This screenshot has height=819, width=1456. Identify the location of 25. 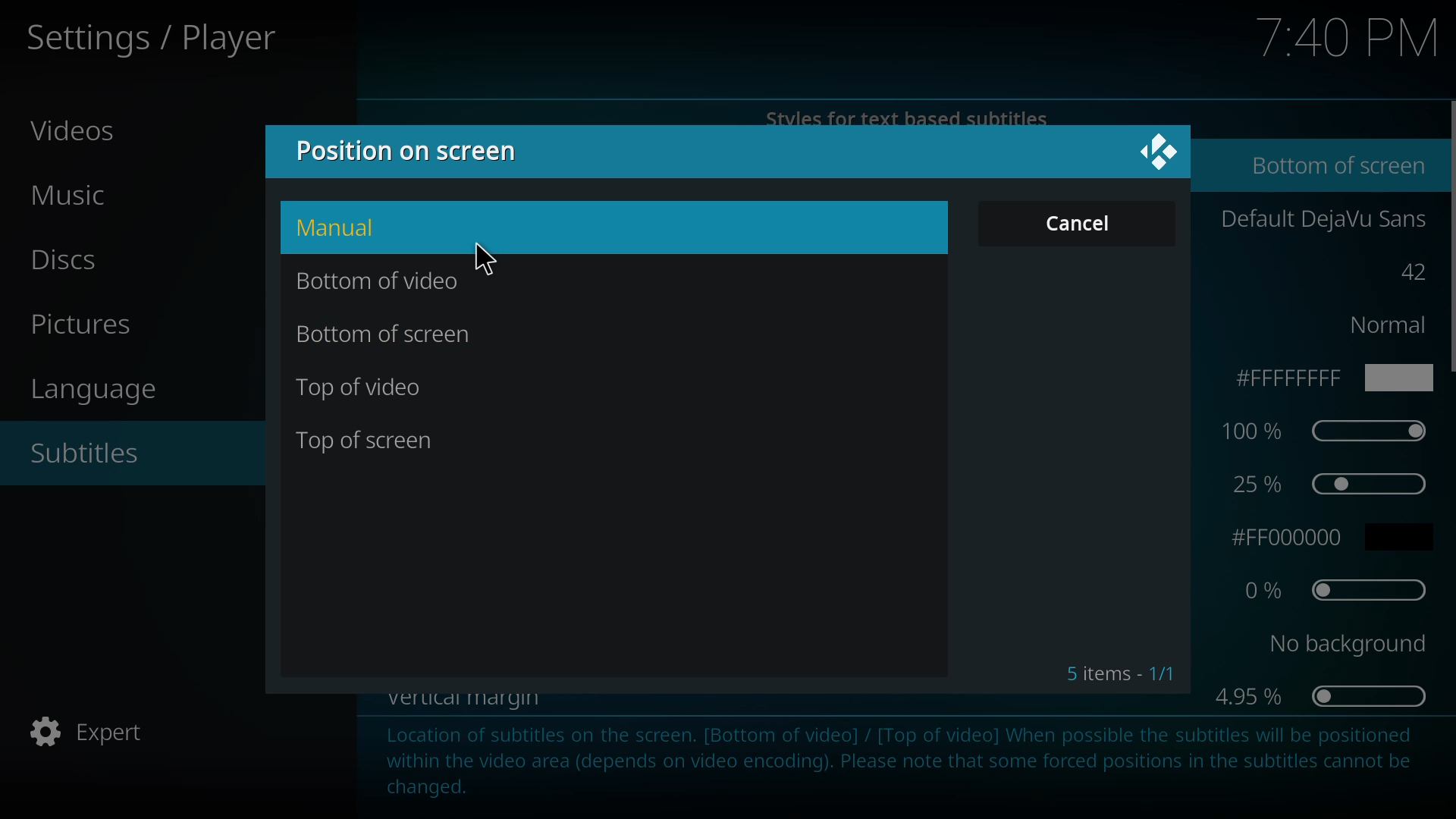
(1325, 484).